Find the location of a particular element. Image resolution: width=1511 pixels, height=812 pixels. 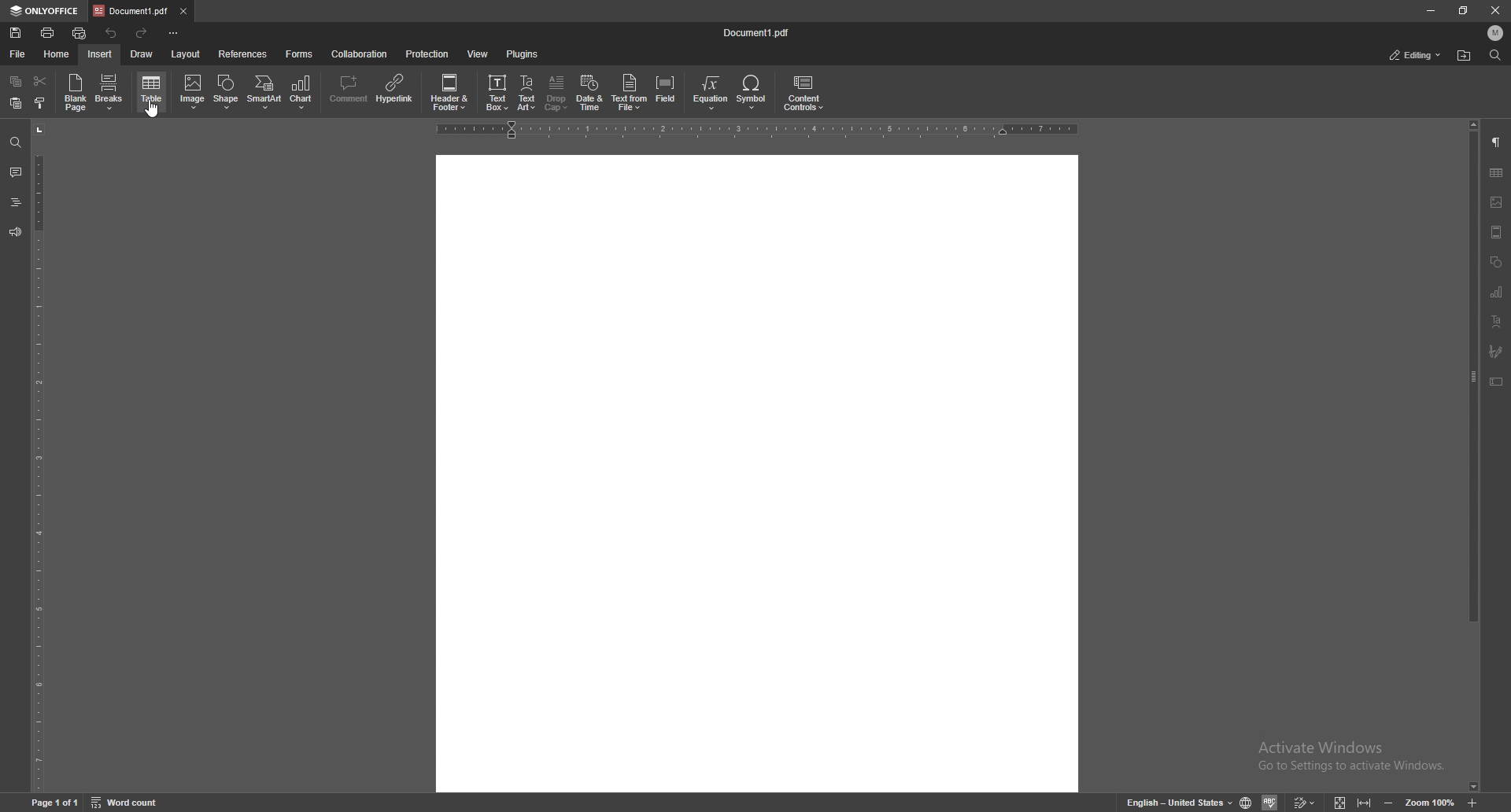

image is located at coordinates (193, 92).